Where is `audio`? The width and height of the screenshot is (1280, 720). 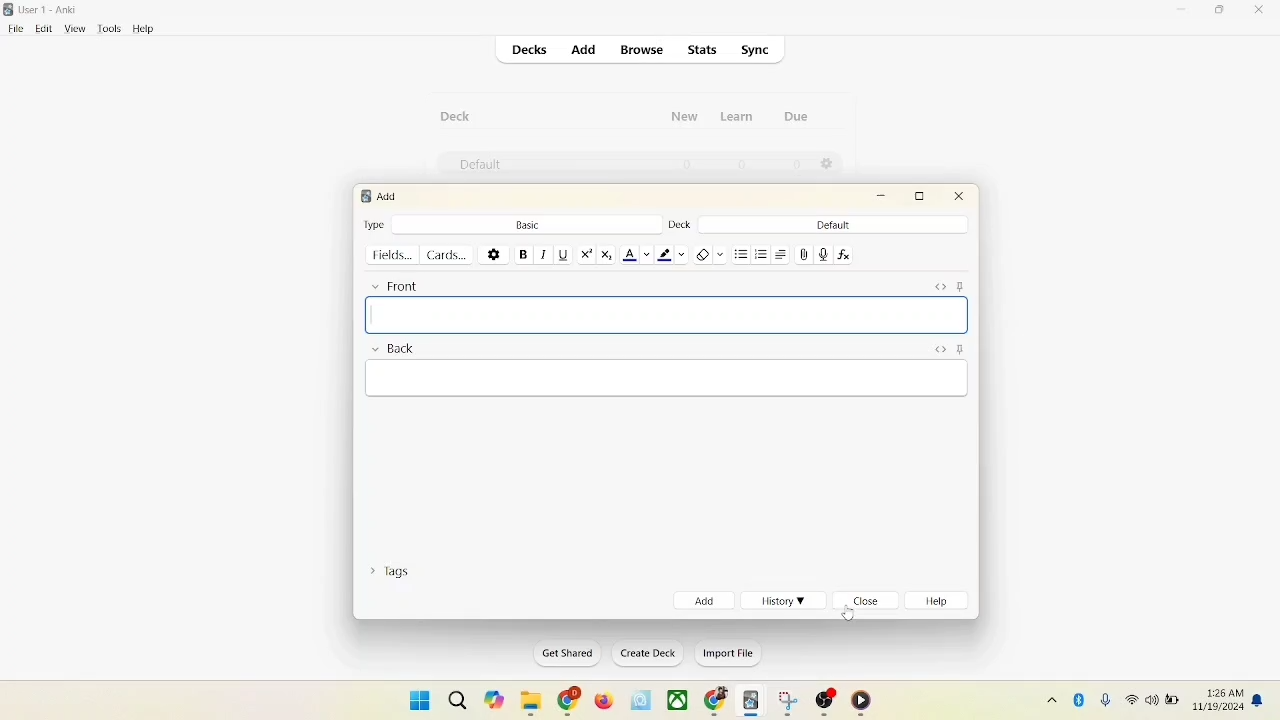 audio is located at coordinates (824, 254).